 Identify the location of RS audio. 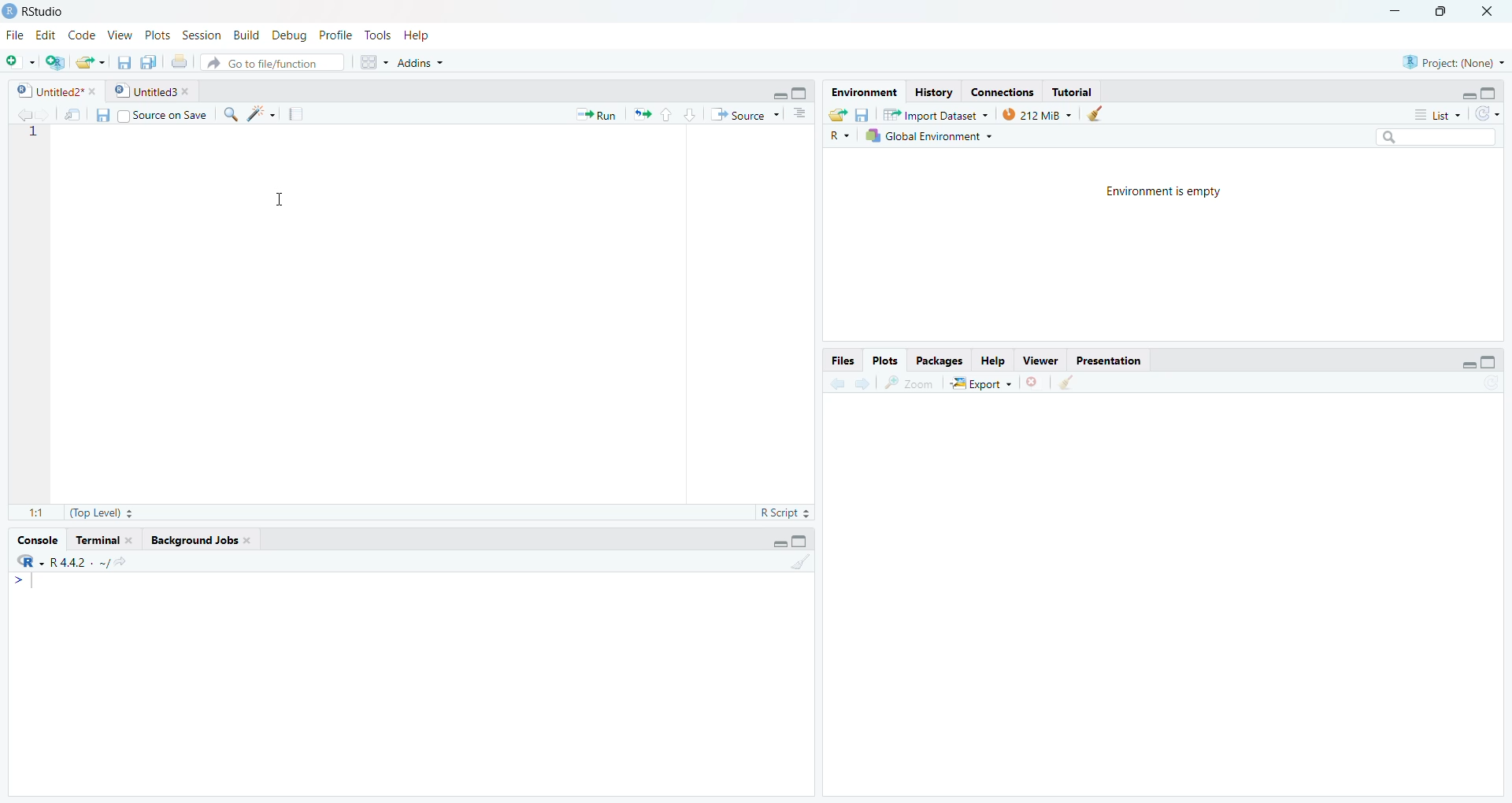
(37, 12).